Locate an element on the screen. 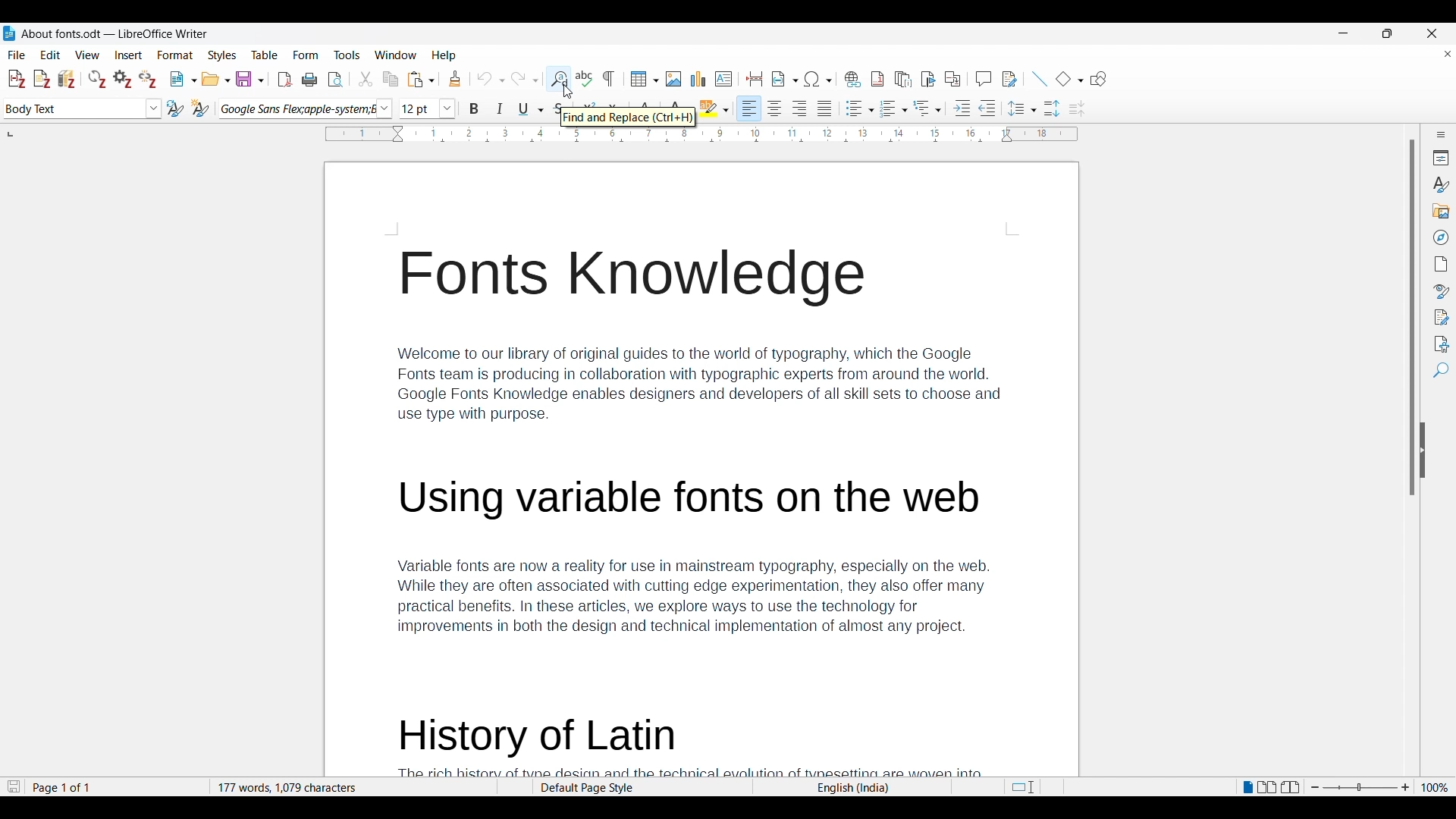  Decrease paragraph spacing is located at coordinates (1077, 108).